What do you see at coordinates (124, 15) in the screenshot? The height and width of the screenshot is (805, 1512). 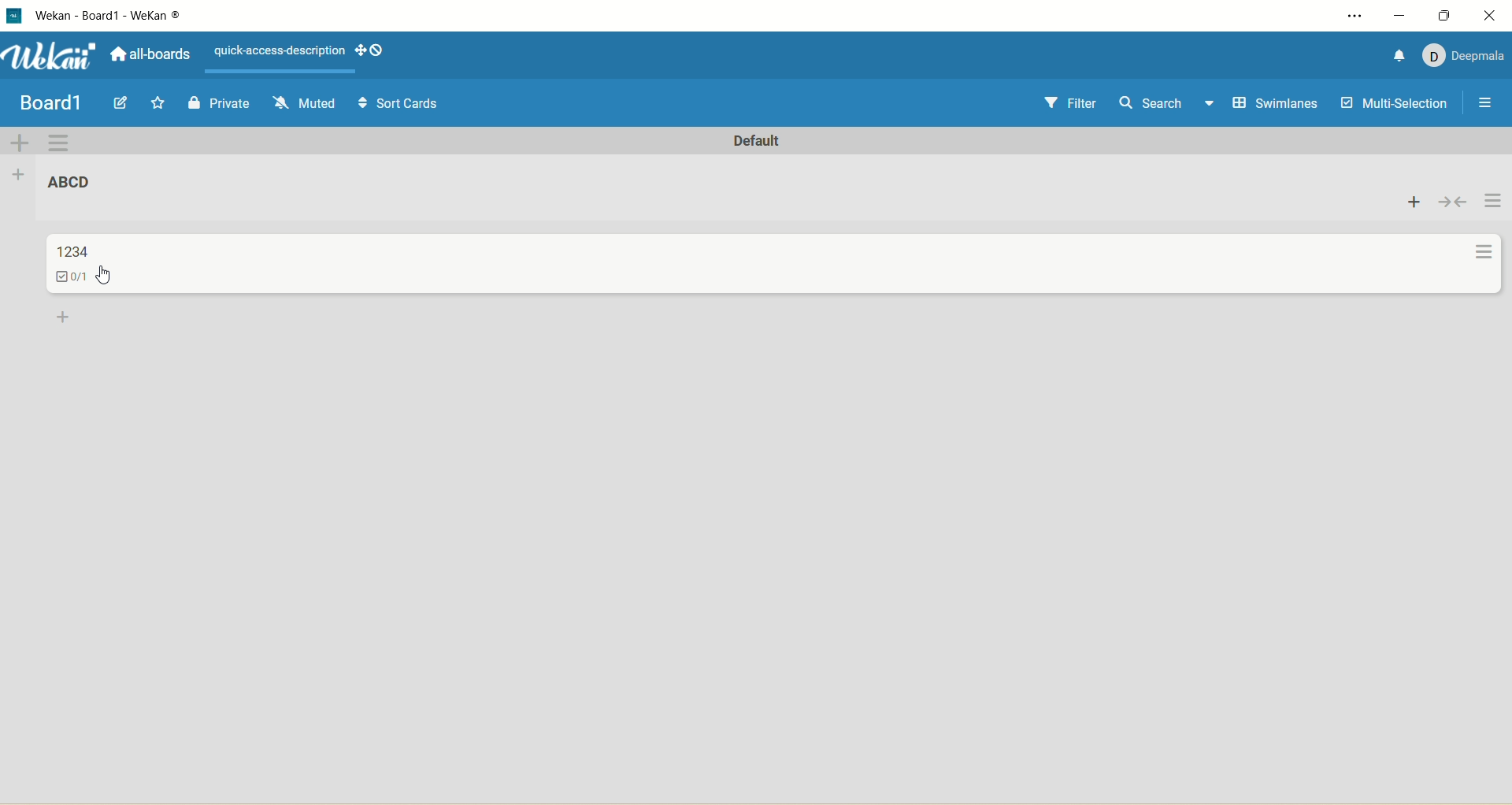 I see `title` at bounding box center [124, 15].